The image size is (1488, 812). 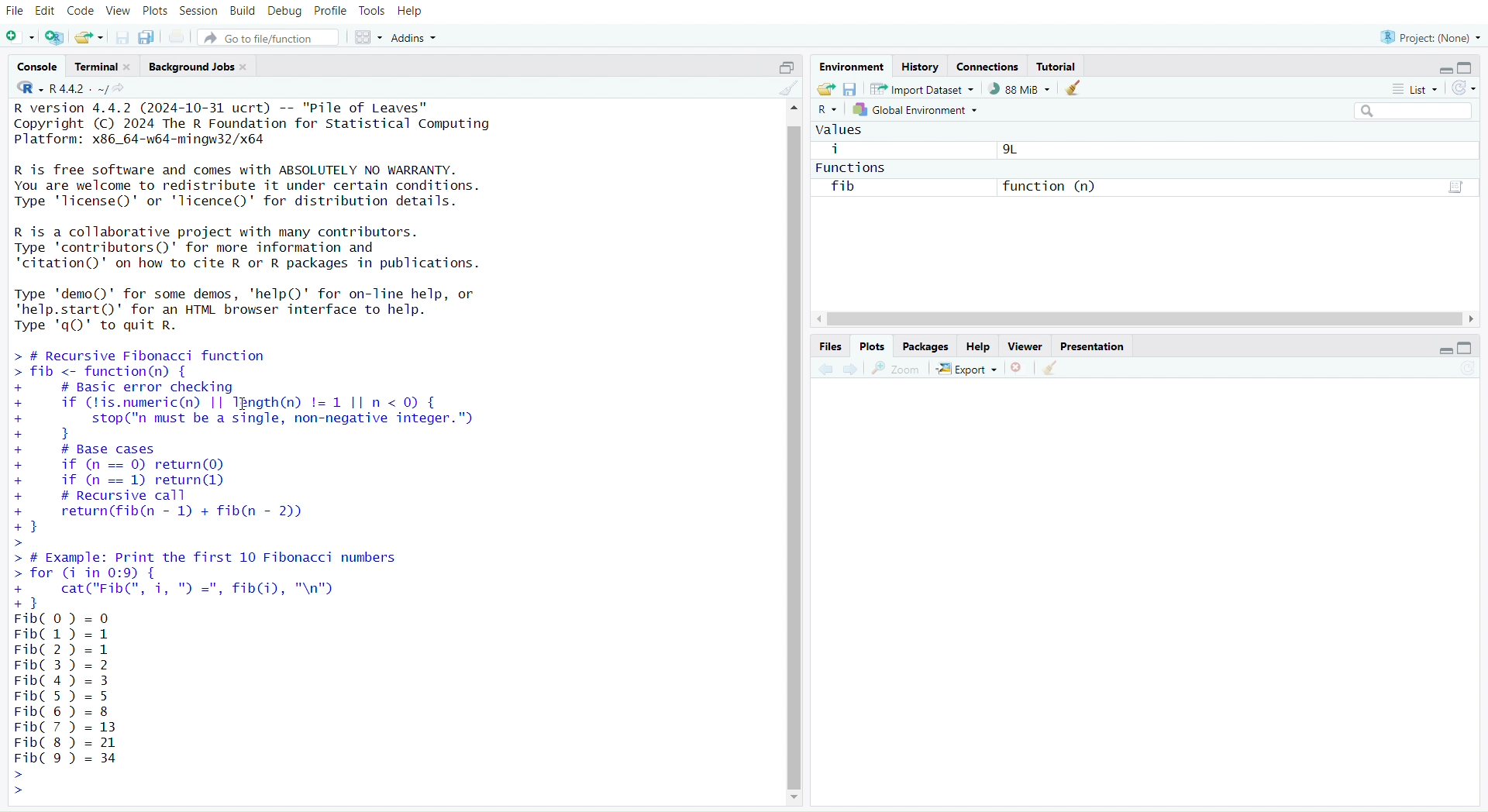 I want to click on packages, so click(x=928, y=347).